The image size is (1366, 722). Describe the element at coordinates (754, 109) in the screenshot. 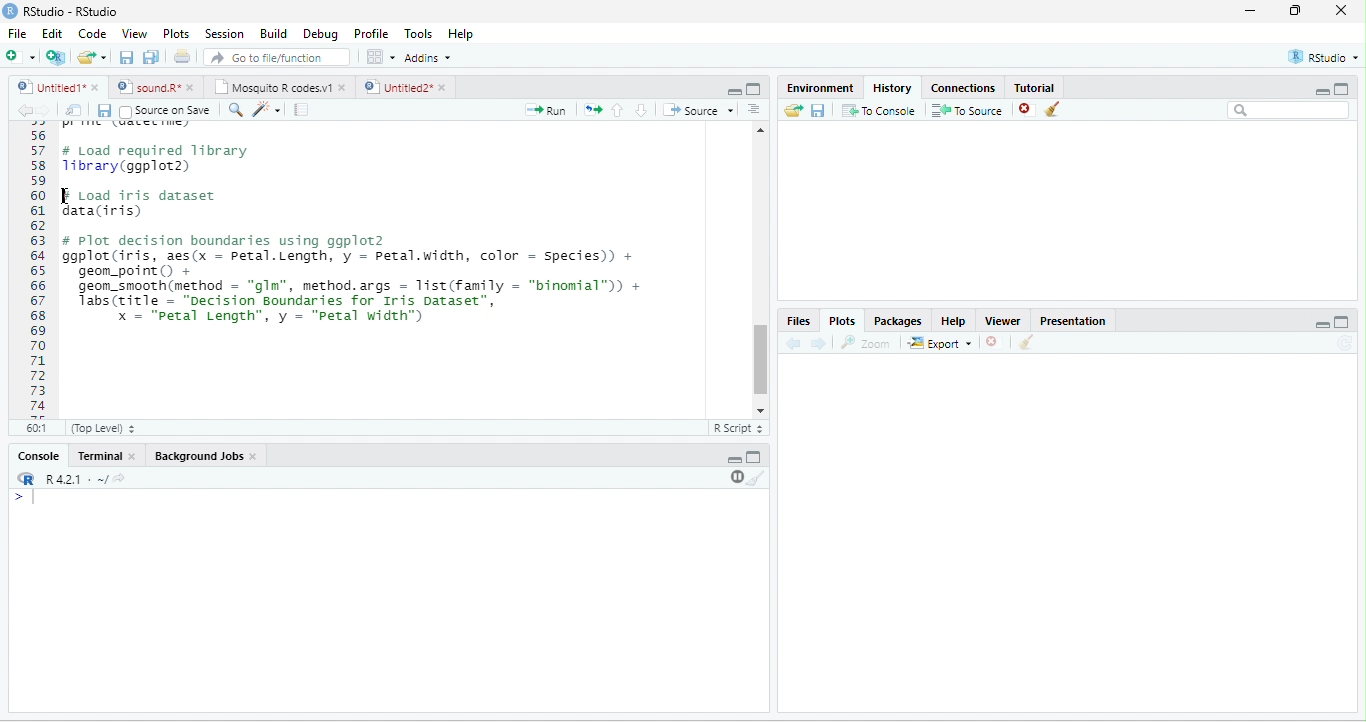

I see `options` at that location.